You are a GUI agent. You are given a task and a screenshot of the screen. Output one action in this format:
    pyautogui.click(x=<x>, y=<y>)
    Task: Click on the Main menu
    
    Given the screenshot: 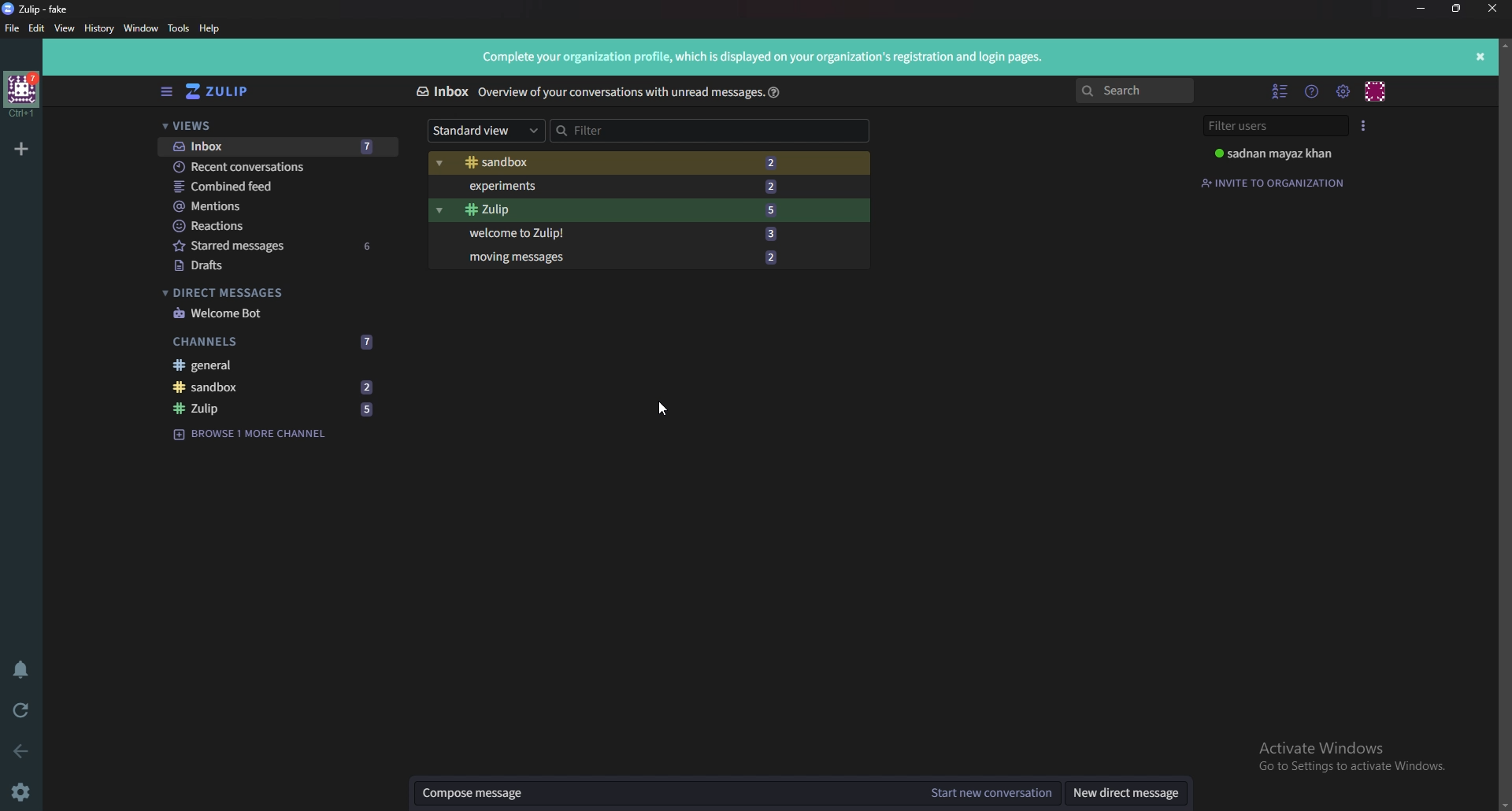 What is the action you would take?
    pyautogui.click(x=1342, y=91)
    